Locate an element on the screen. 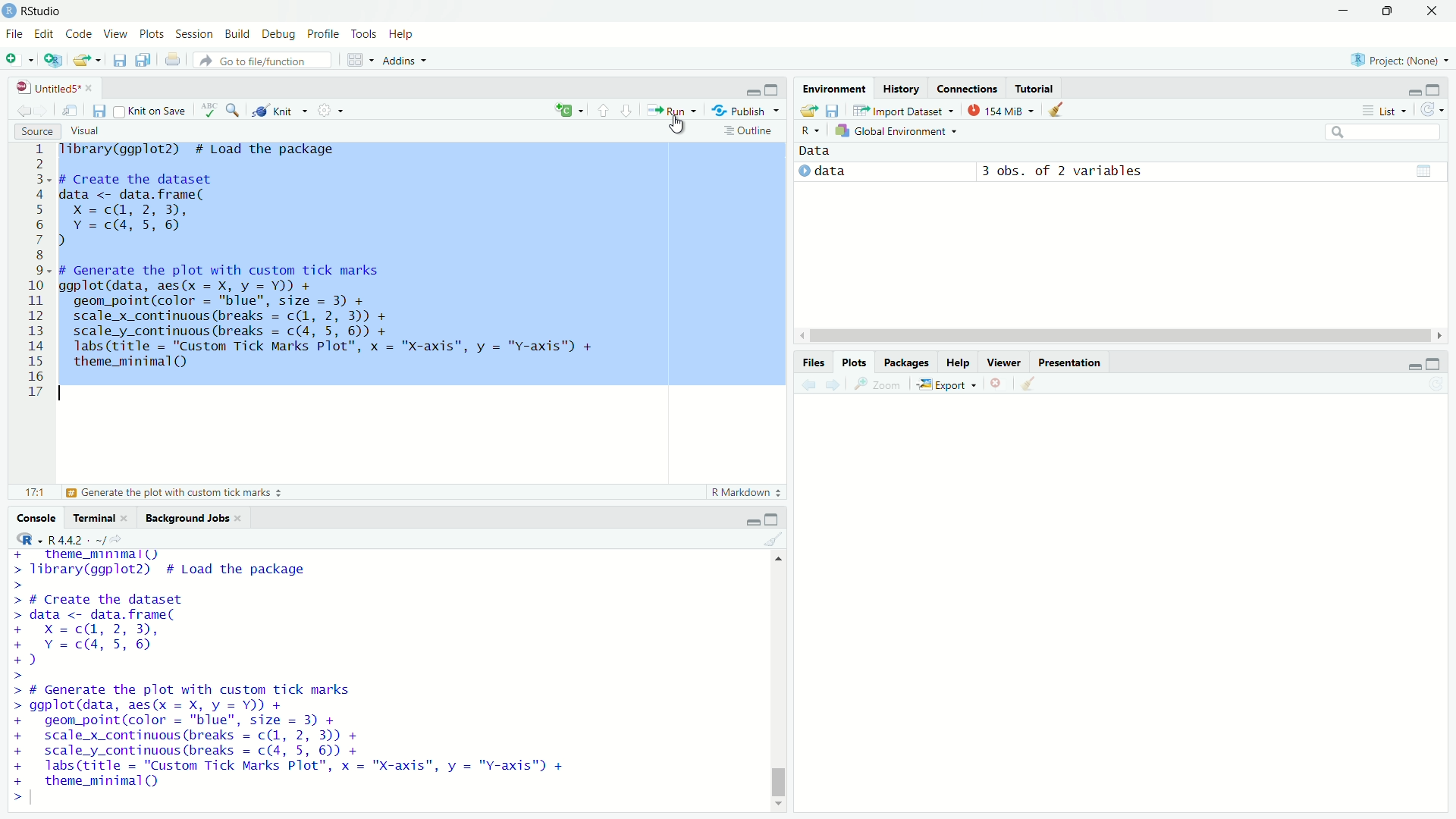  3 obs. of 2 variables is located at coordinates (1068, 171).